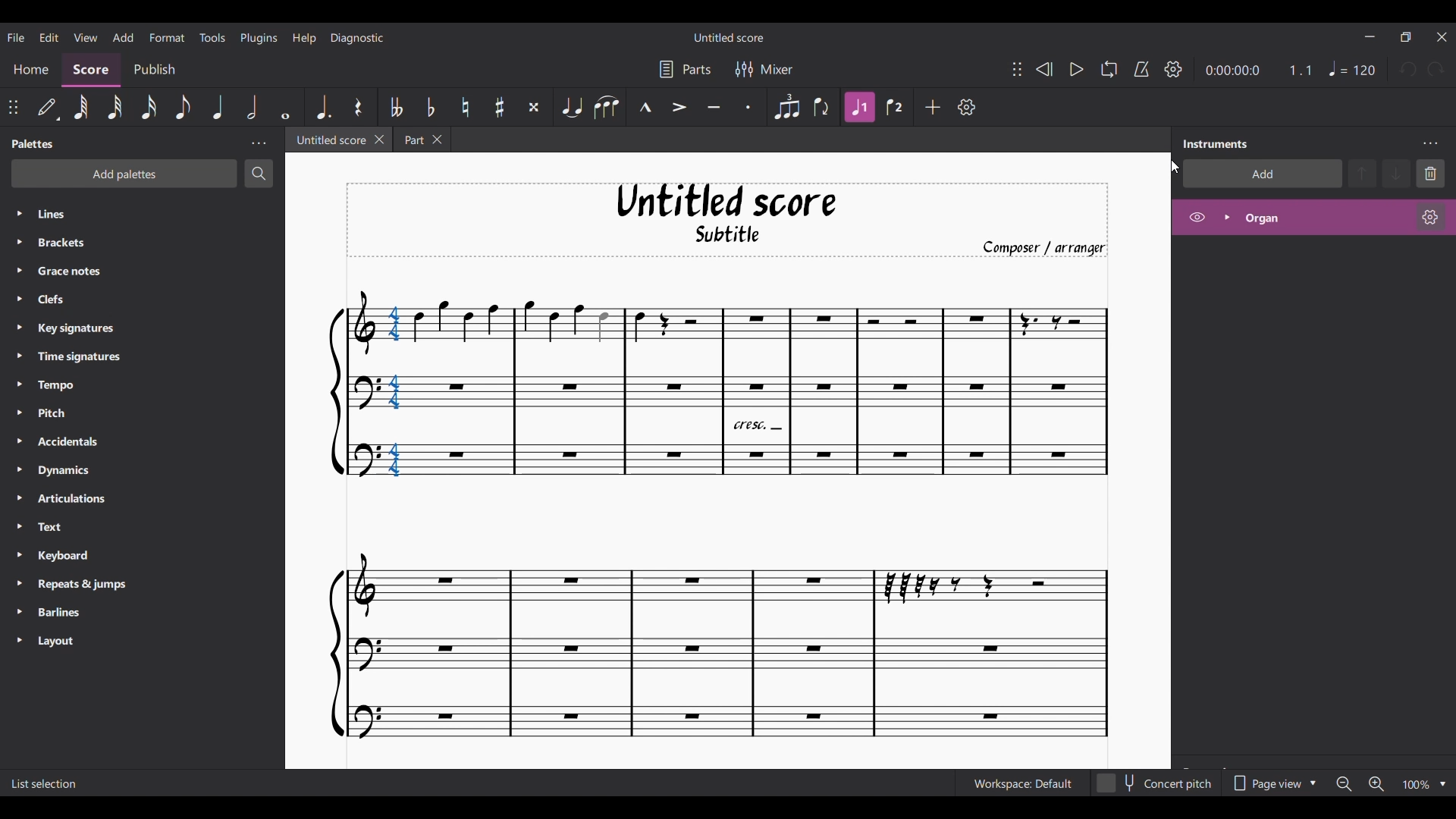  Describe the element at coordinates (91, 71) in the screenshot. I see `Score, current section highlighted ` at that location.